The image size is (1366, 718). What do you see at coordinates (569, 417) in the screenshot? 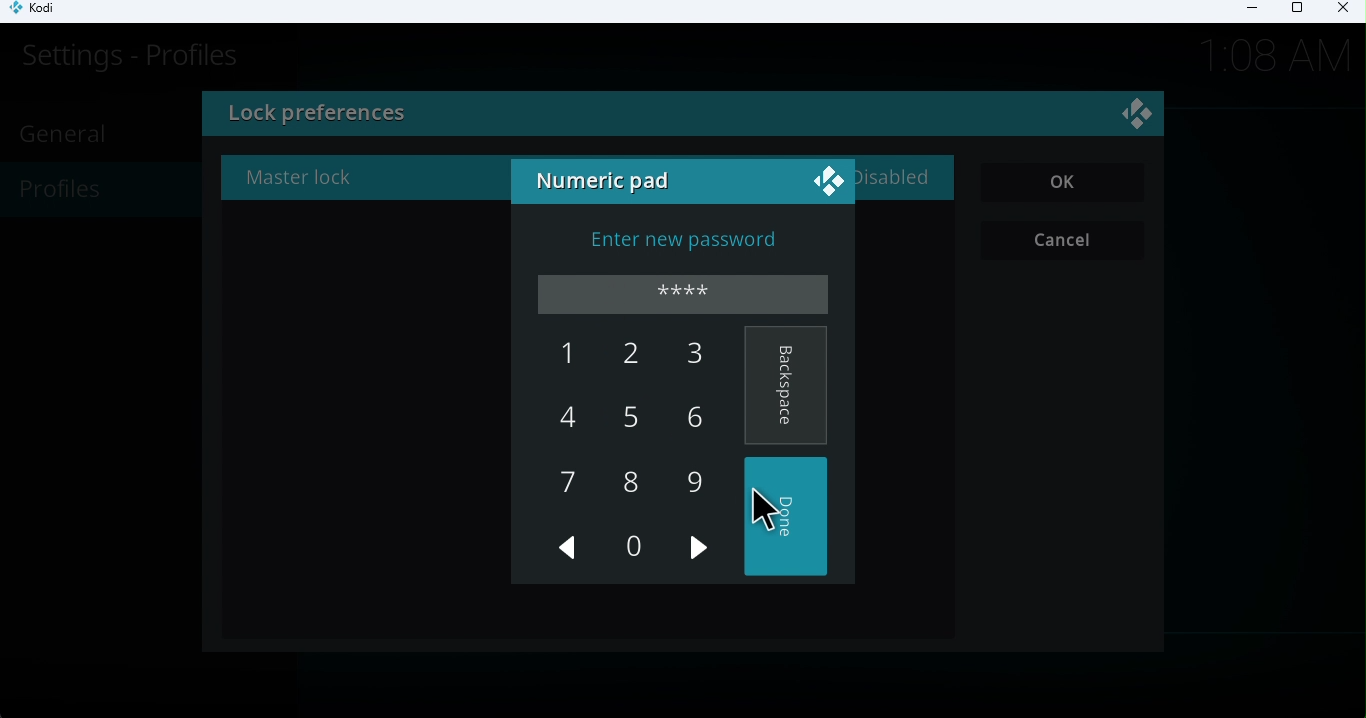
I see `4` at bounding box center [569, 417].